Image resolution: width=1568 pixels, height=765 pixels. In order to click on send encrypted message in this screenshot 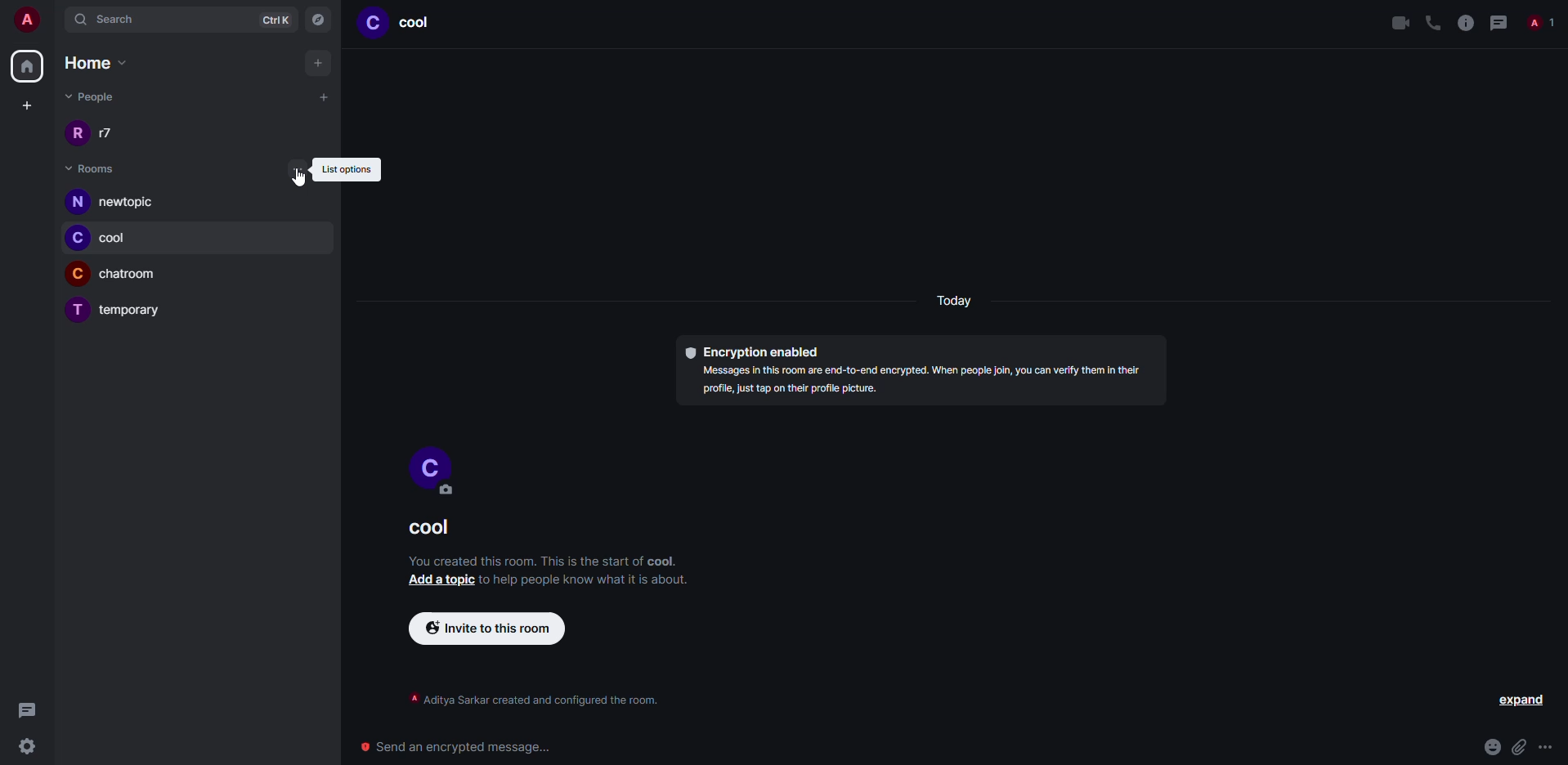, I will do `click(451, 748)`.